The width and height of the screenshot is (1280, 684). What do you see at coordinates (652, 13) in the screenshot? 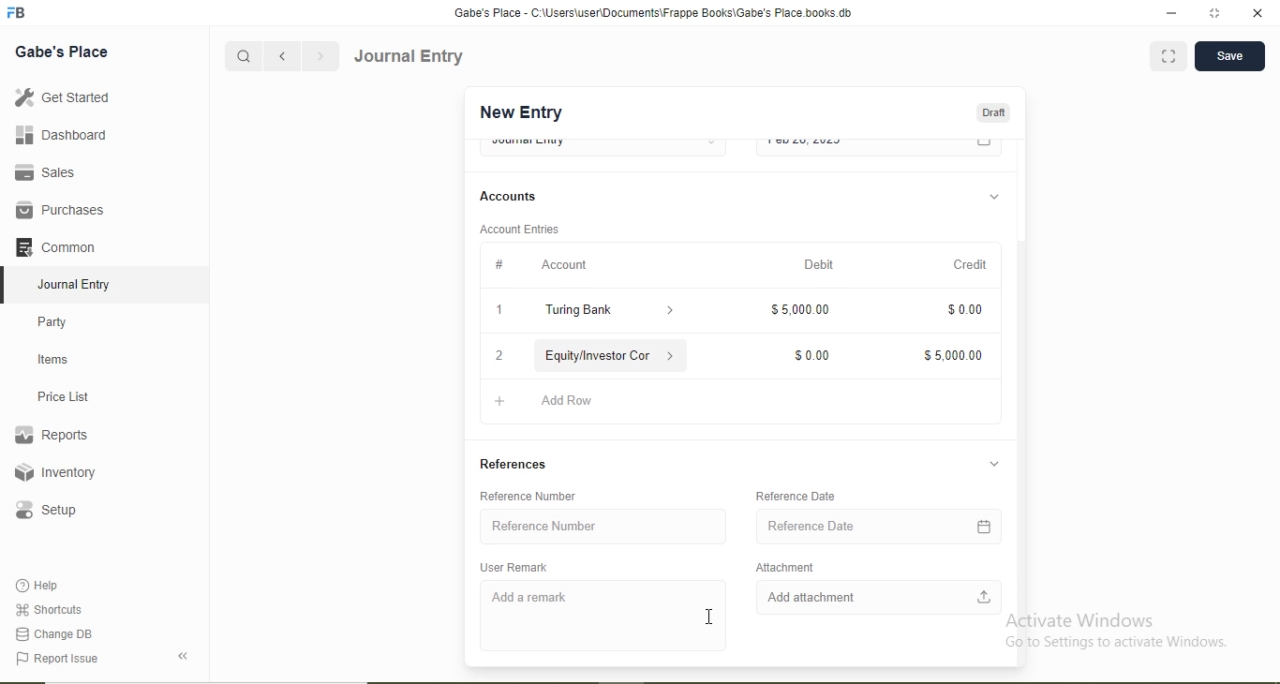
I see `‘Gabe's Place - C:\Users\useriDocuments\Frappe Books\Gabe's Place books db` at bounding box center [652, 13].